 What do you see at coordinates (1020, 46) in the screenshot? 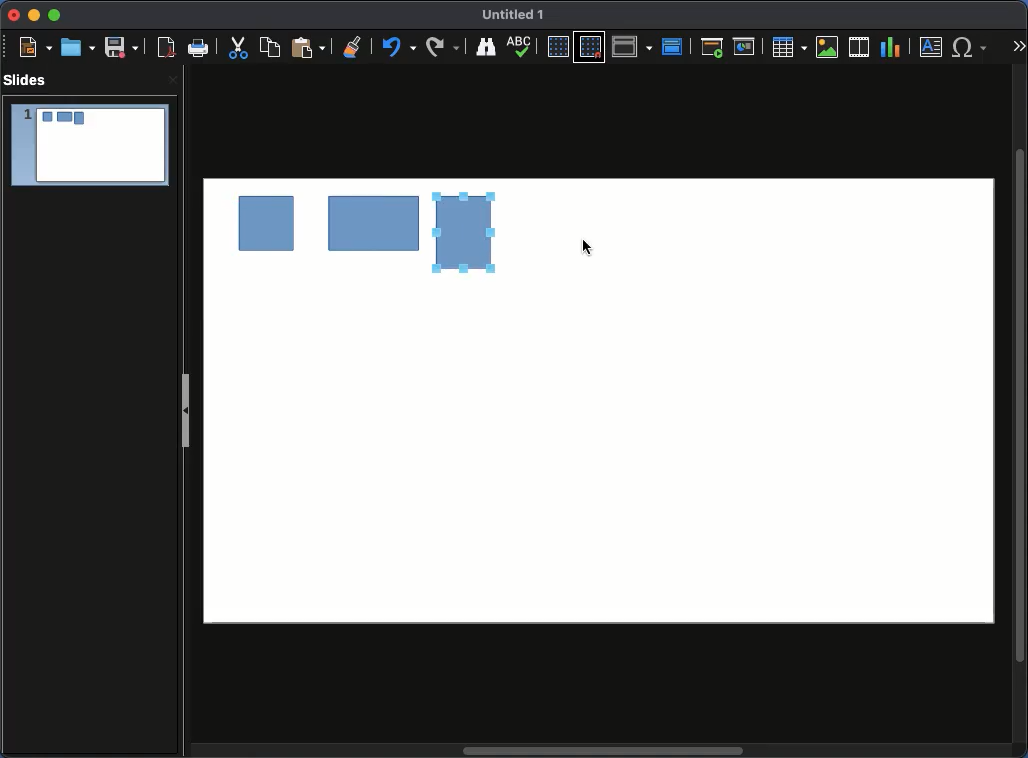
I see `More` at bounding box center [1020, 46].